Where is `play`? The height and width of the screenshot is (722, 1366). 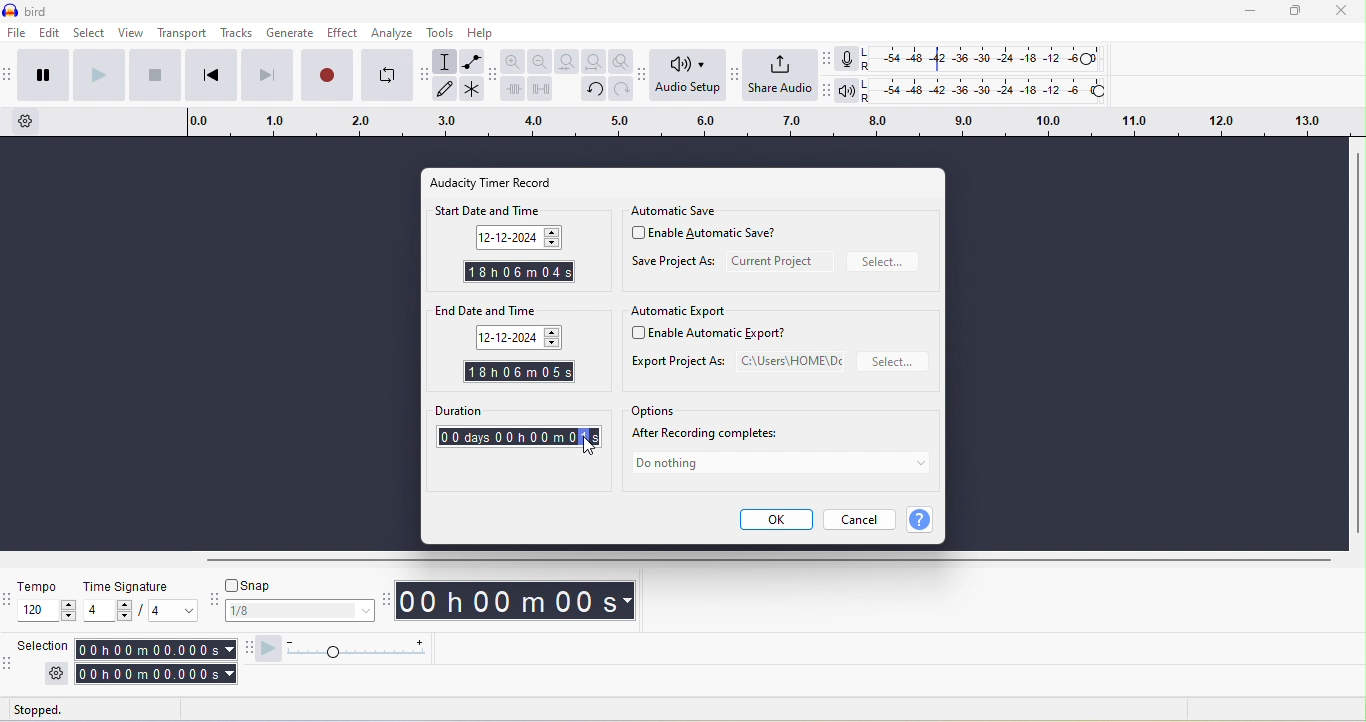 play is located at coordinates (96, 73).